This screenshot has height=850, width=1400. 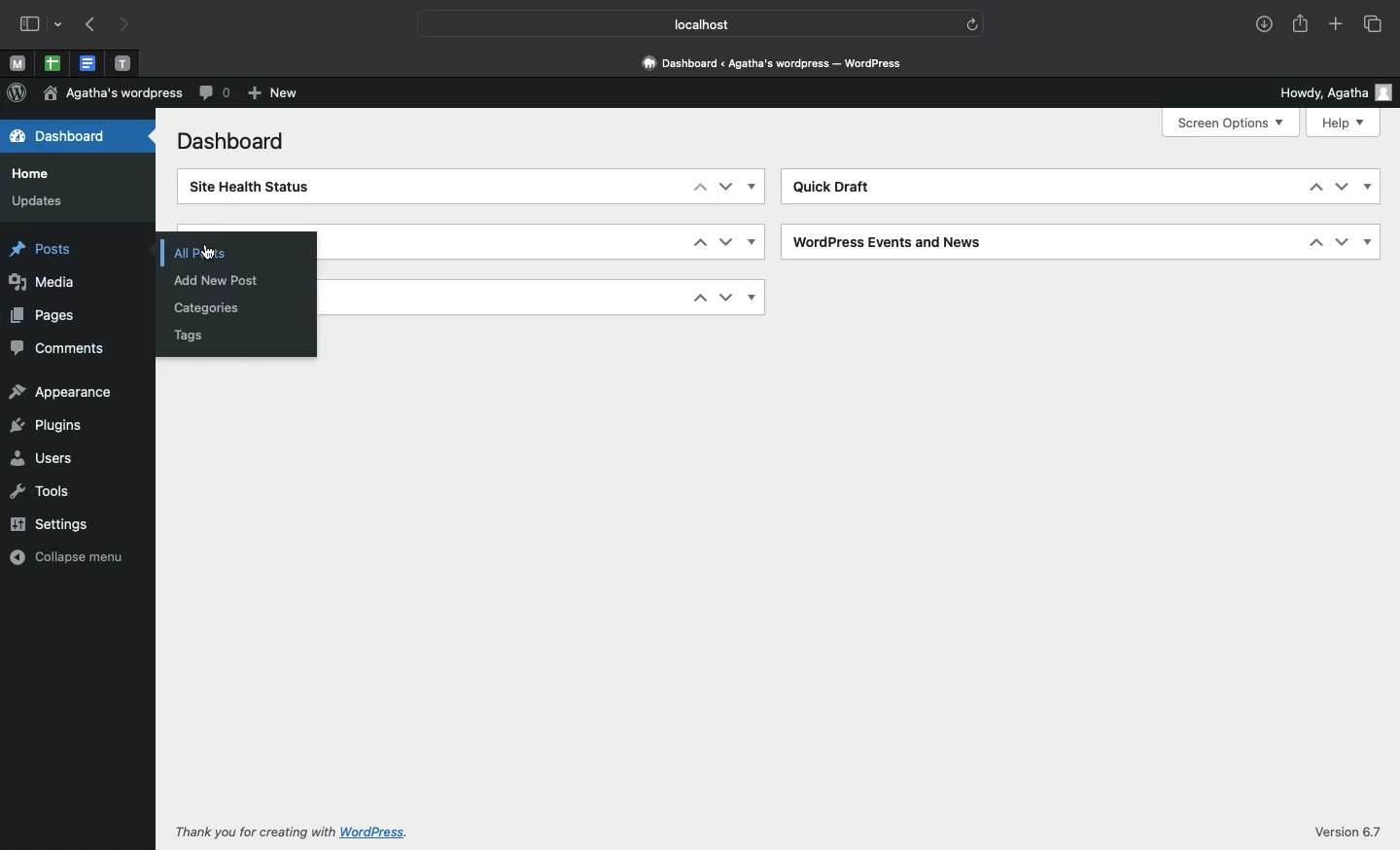 I want to click on Show, so click(x=752, y=241).